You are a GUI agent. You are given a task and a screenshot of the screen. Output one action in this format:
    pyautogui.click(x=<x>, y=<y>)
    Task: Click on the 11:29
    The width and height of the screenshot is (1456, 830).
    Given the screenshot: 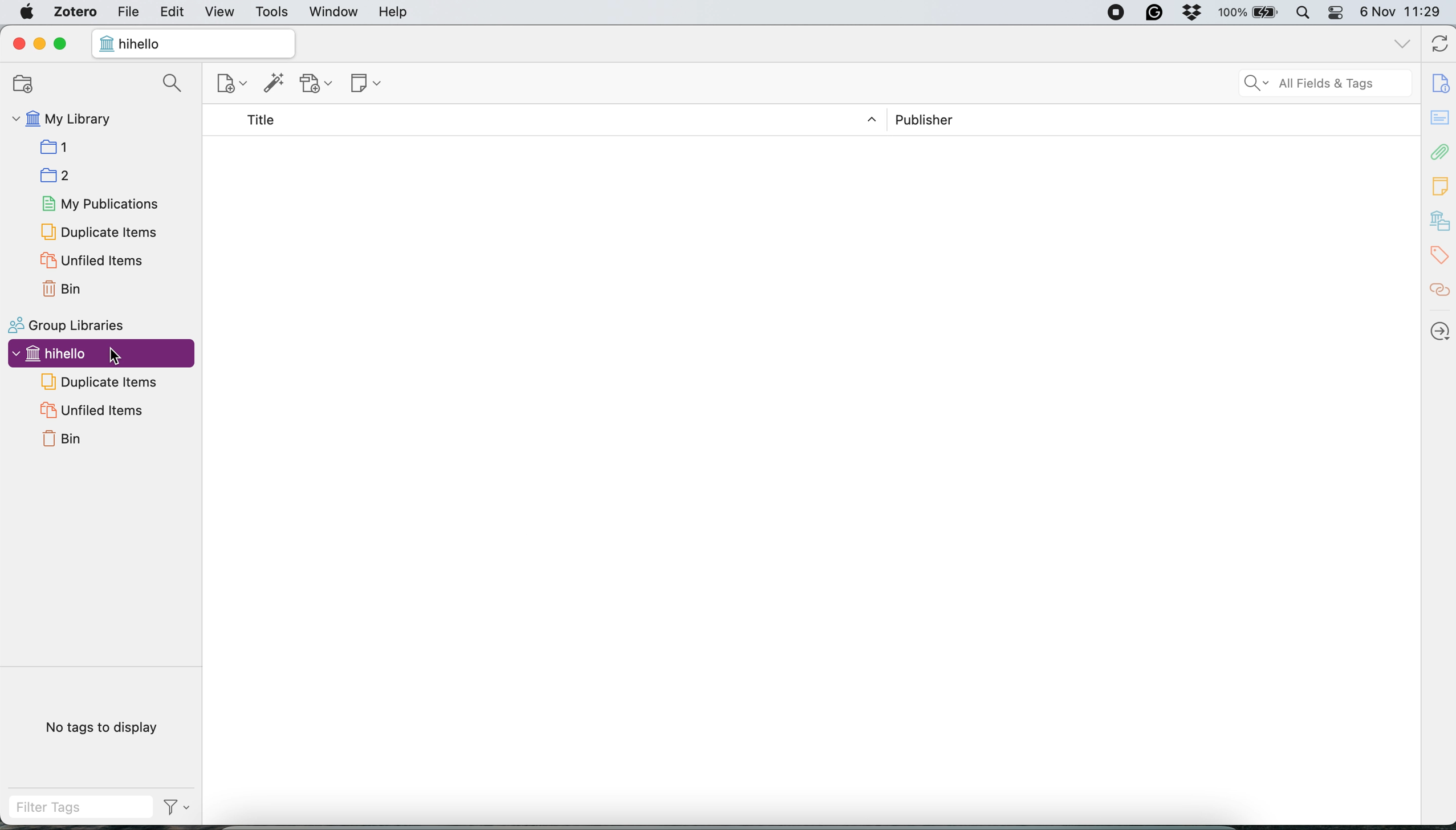 What is the action you would take?
    pyautogui.click(x=1426, y=11)
    